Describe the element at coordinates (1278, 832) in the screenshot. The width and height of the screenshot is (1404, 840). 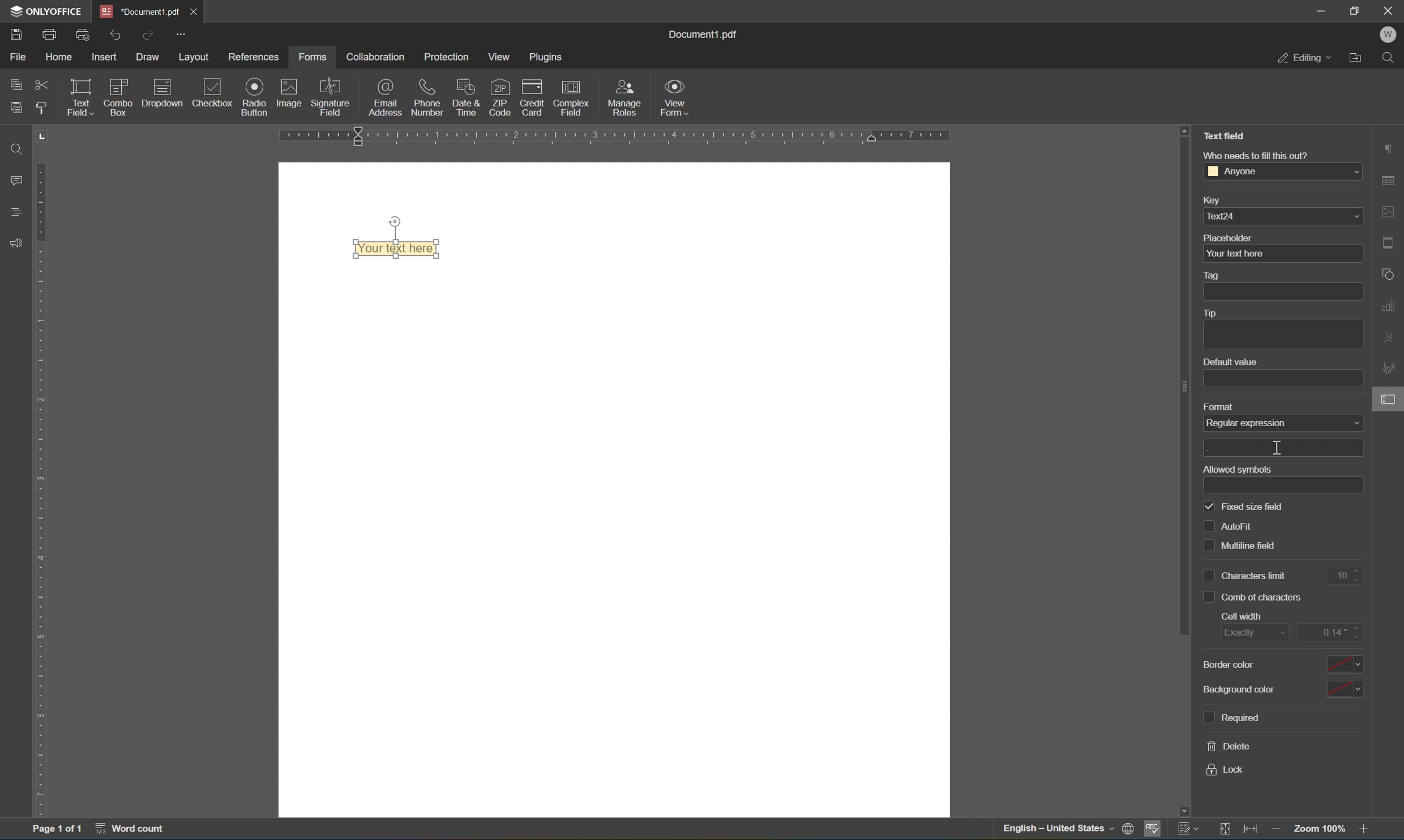
I see `zoom out` at that location.